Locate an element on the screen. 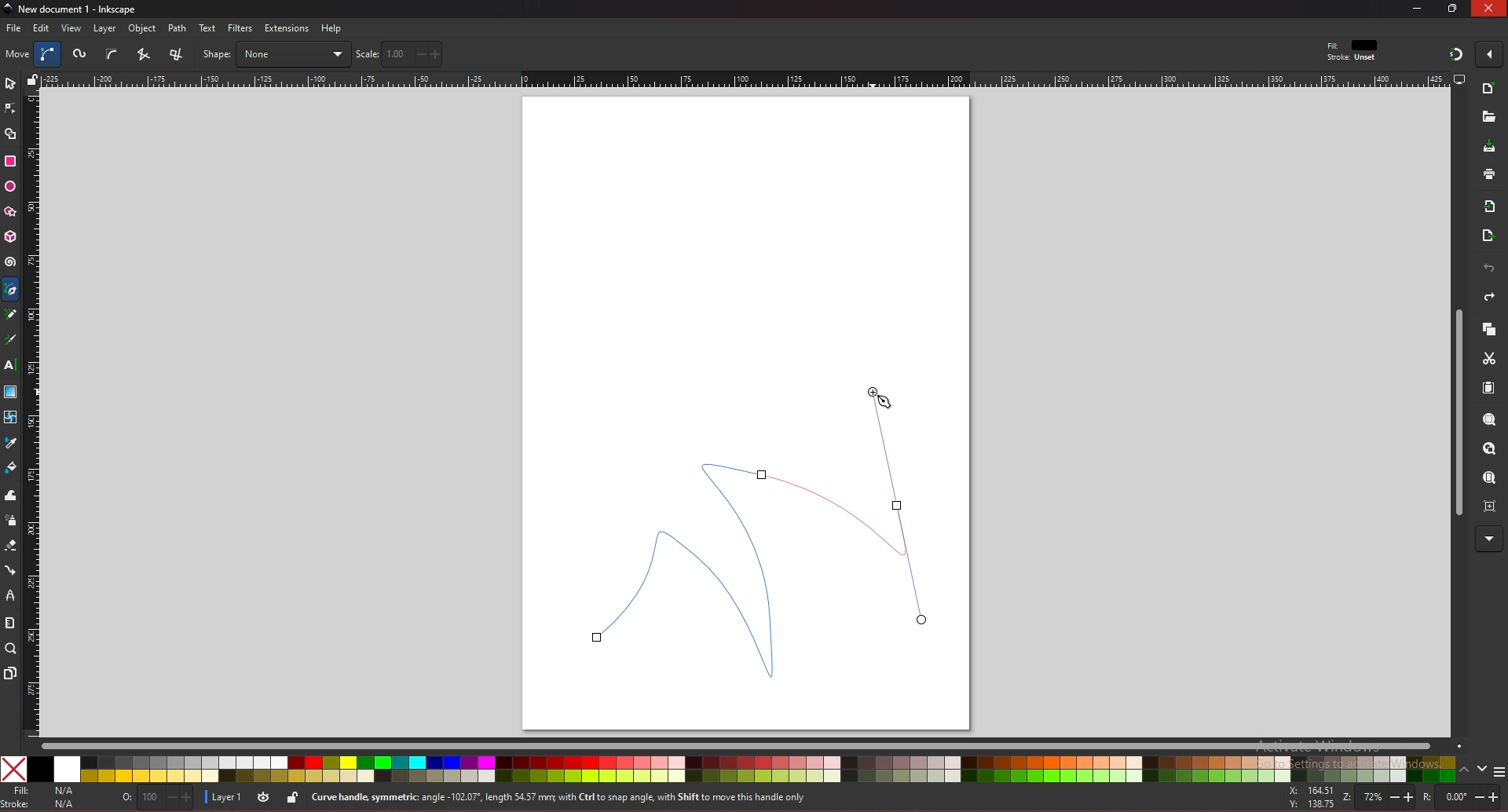 The image size is (1508, 812). cursor is located at coordinates (877, 398).